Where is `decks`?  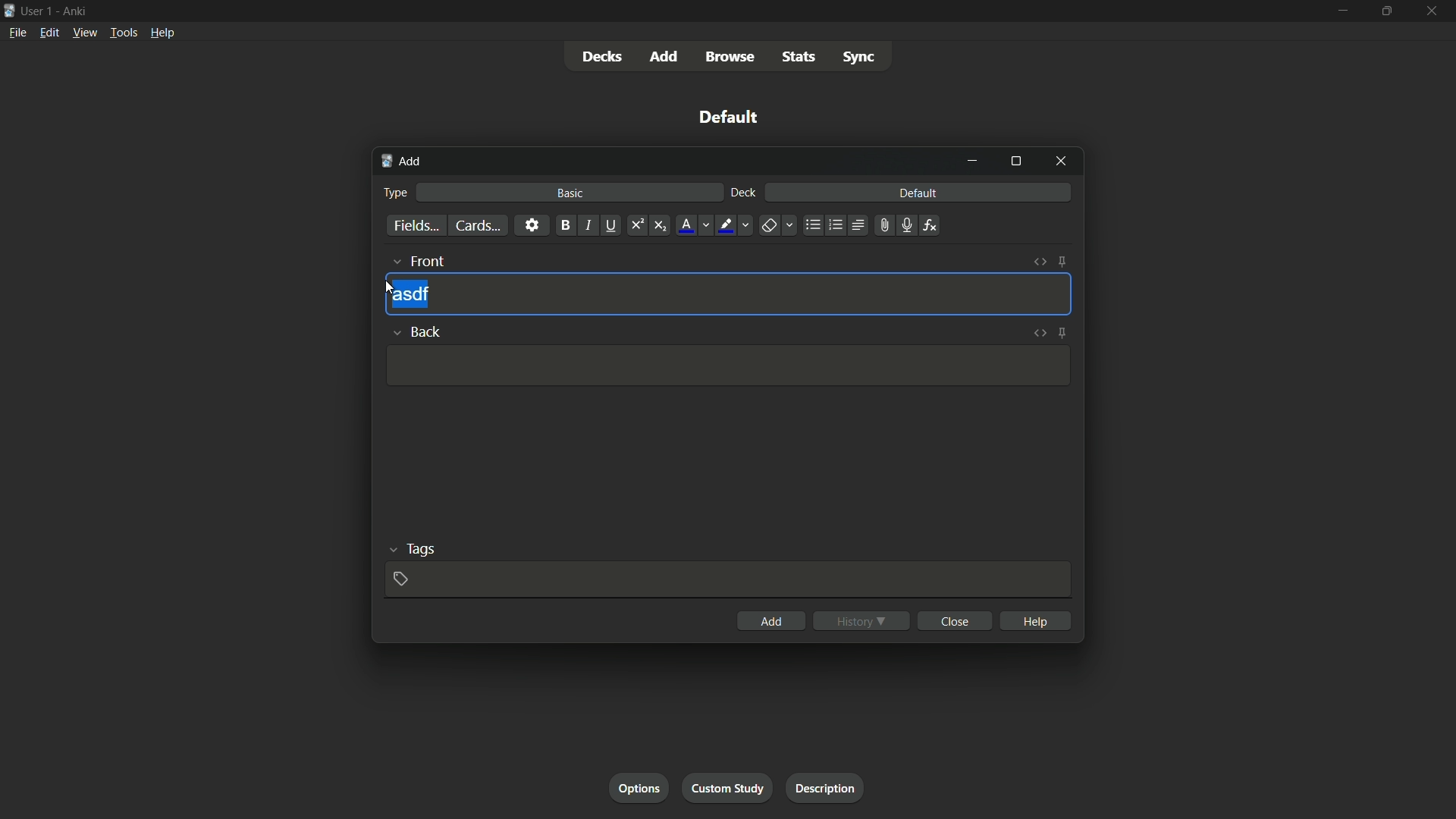 decks is located at coordinates (604, 55).